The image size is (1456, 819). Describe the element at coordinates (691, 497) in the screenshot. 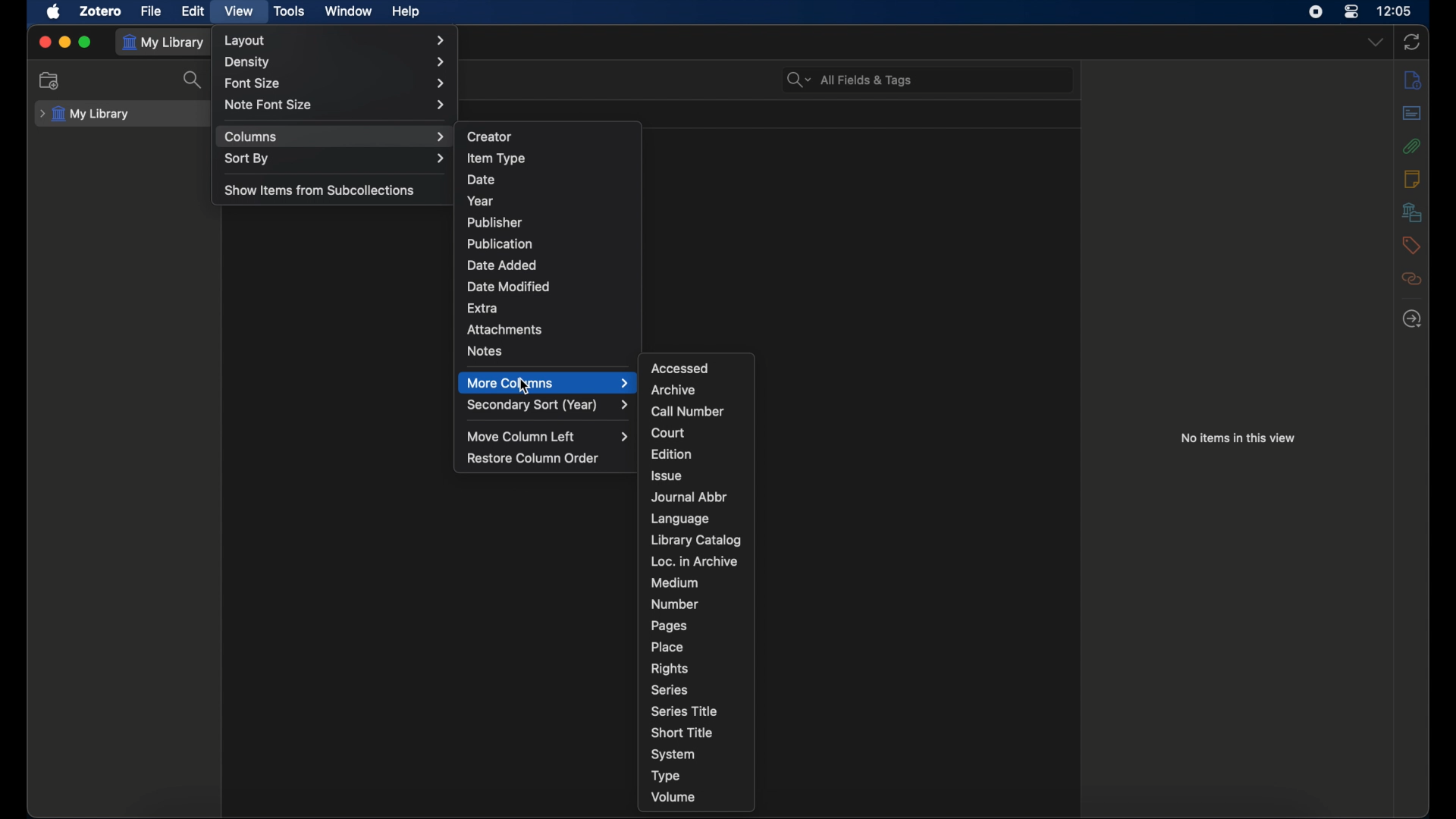

I see `journal abbr` at that location.